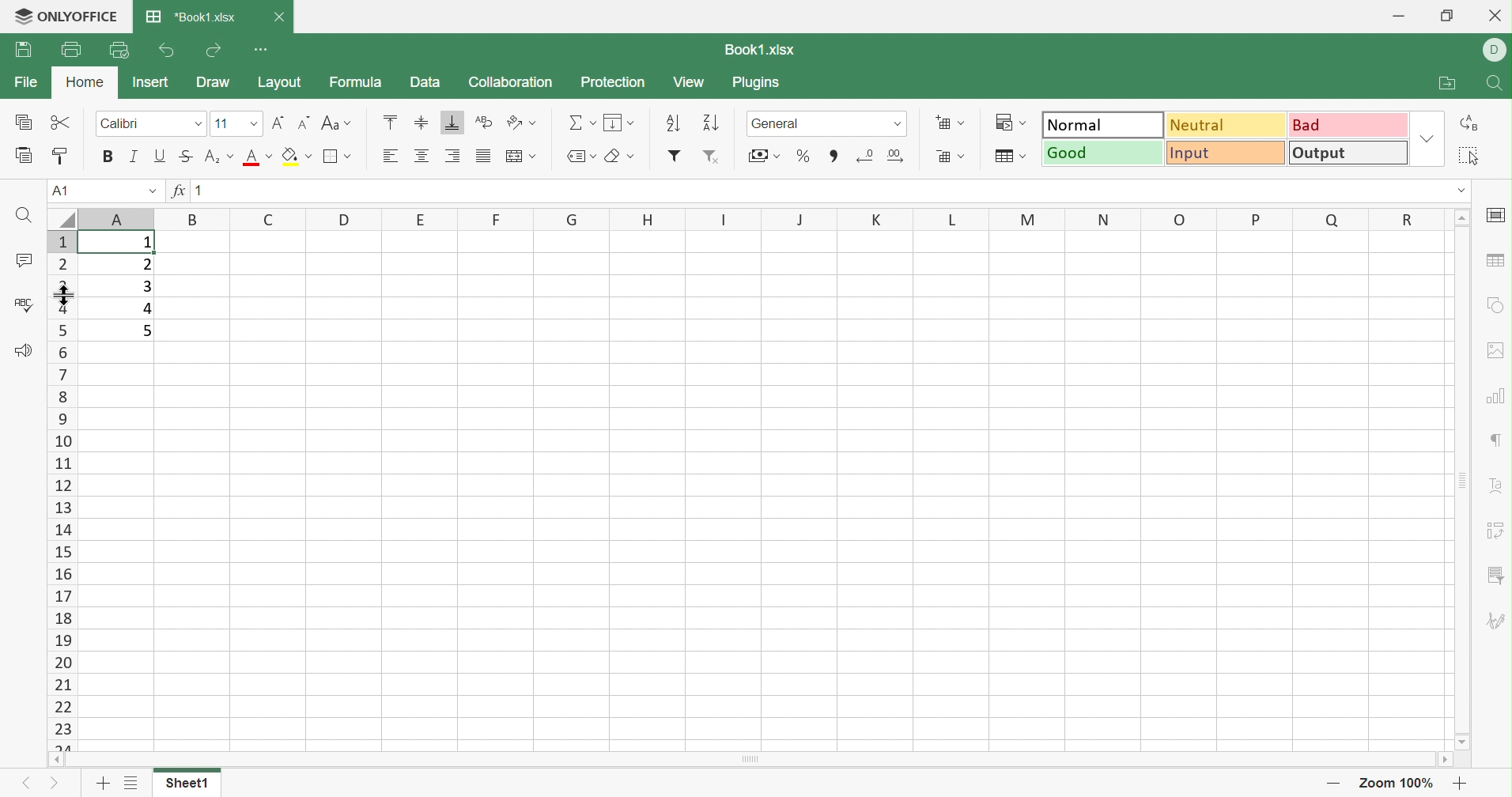 The height and width of the screenshot is (797, 1512). Describe the element at coordinates (1466, 157) in the screenshot. I see `Select all` at that location.